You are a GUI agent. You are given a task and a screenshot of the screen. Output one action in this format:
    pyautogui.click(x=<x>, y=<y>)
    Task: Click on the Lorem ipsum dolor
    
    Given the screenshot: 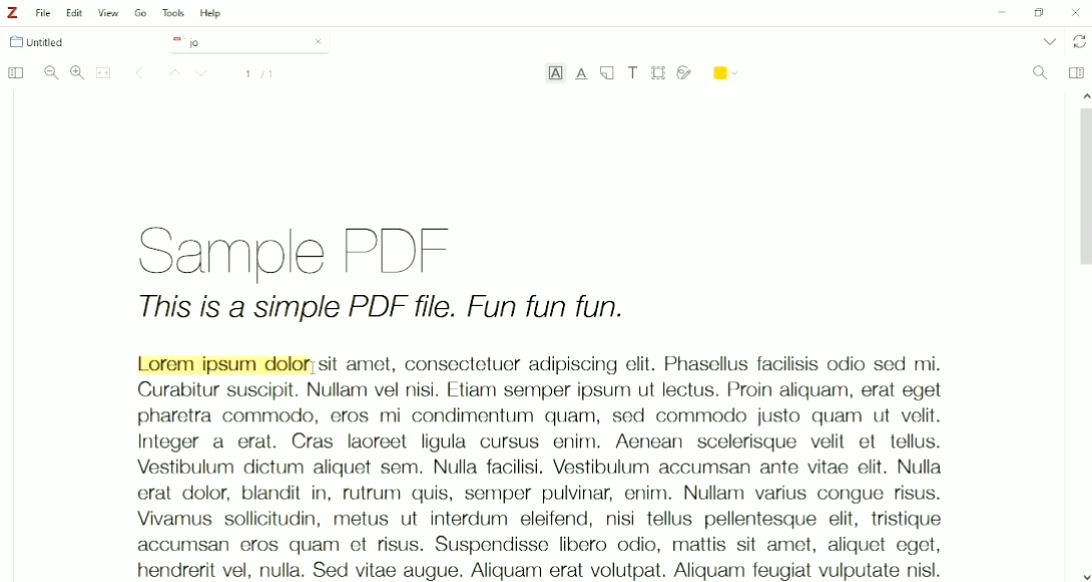 What is the action you would take?
    pyautogui.click(x=223, y=364)
    